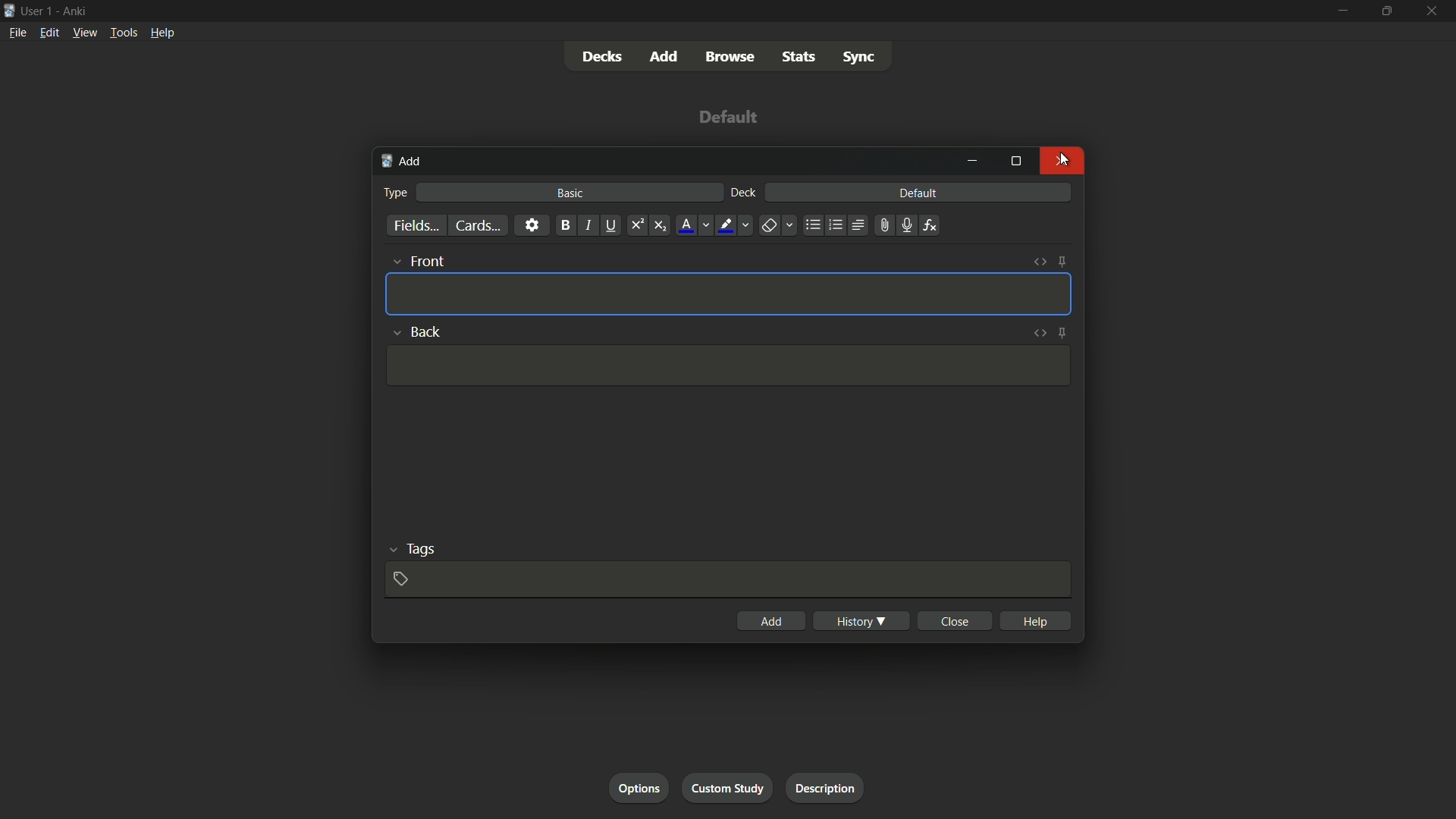 The image size is (1456, 819). What do you see at coordinates (822, 786) in the screenshot?
I see `description` at bounding box center [822, 786].